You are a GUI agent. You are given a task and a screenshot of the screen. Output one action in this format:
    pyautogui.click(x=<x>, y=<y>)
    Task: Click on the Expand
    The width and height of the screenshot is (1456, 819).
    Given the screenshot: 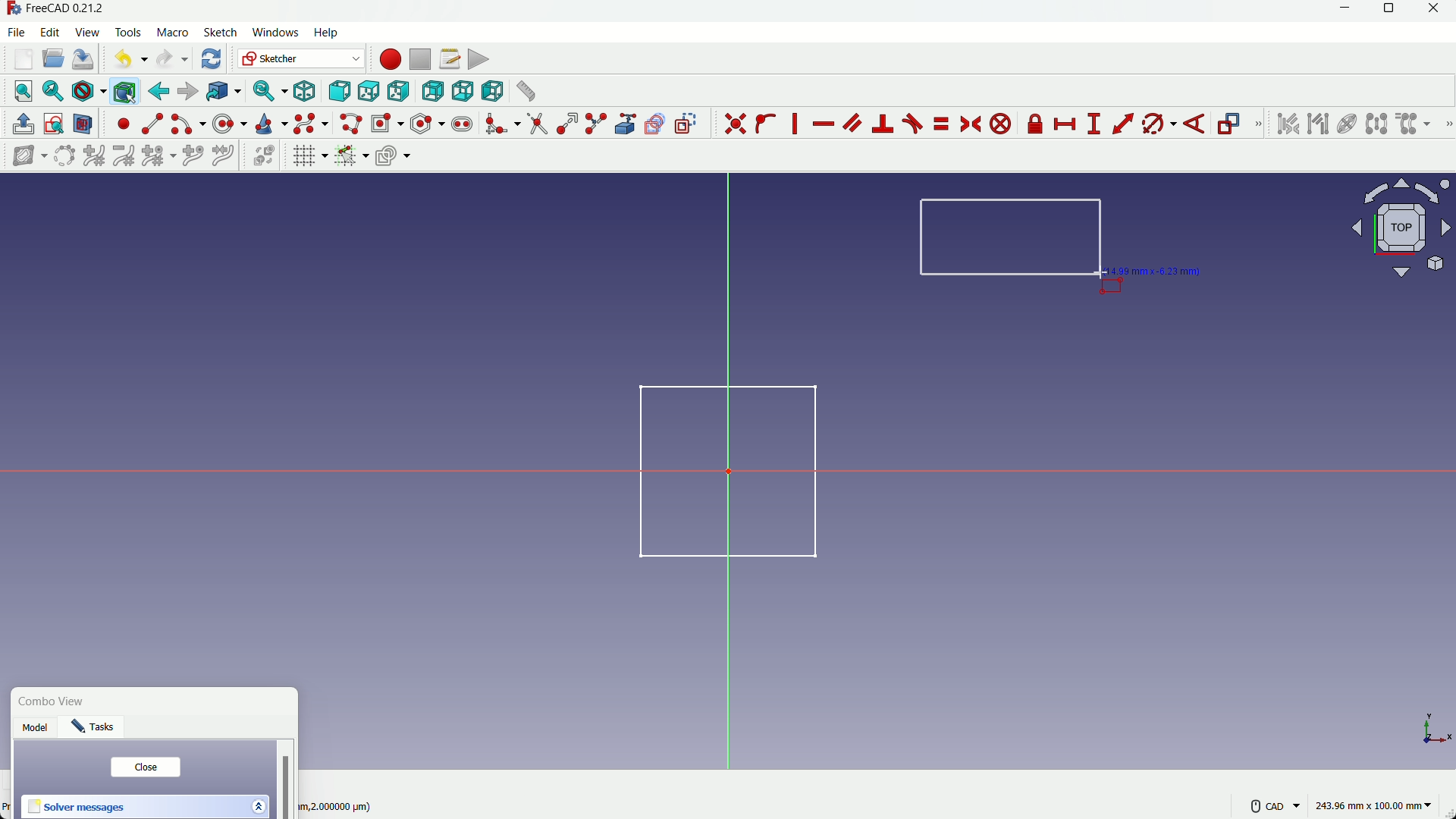 What is the action you would take?
    pyautogui.click(x=258, y=805)
    